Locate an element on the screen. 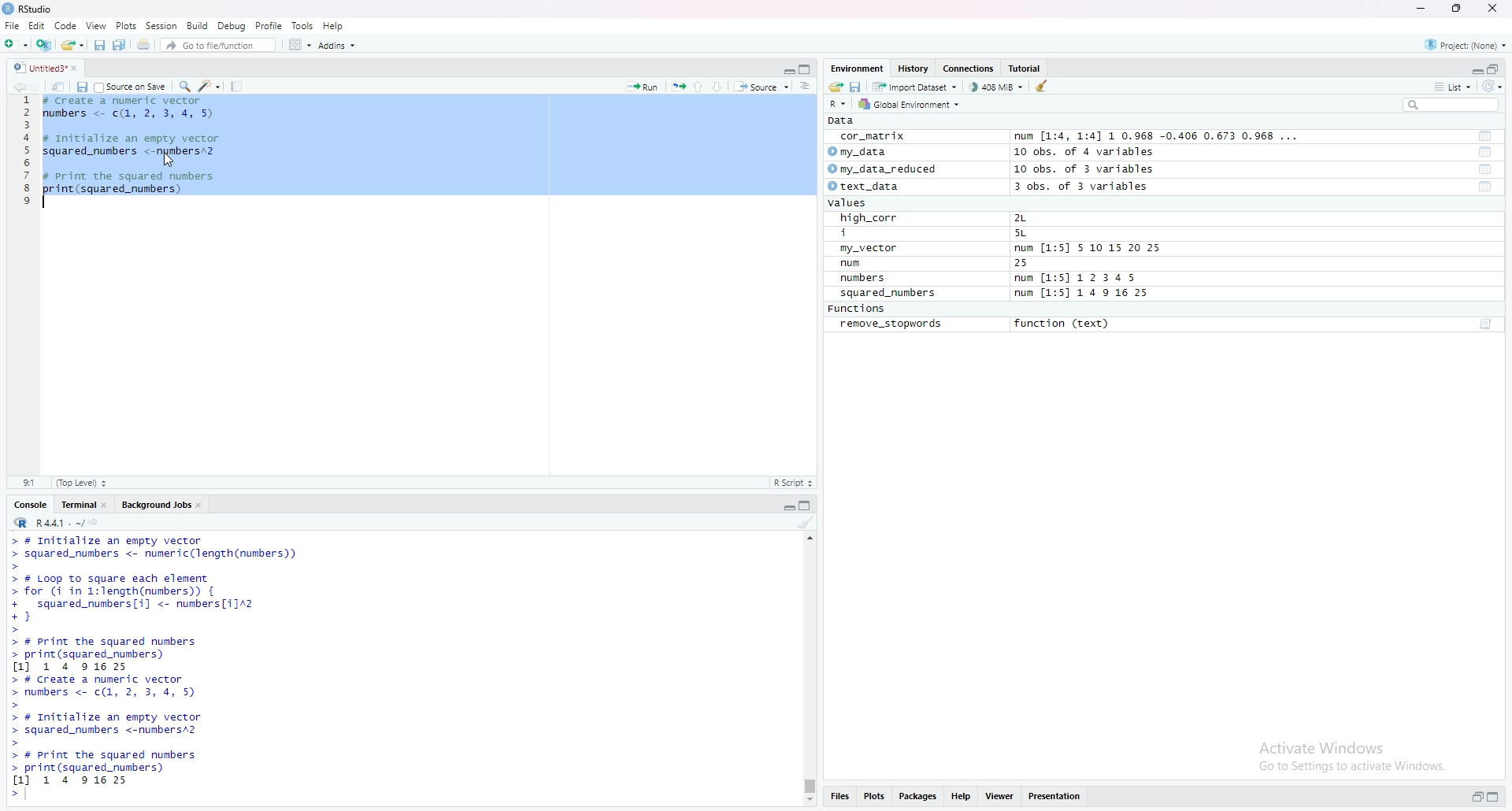  high_corr is located at coordinates (870, 218).